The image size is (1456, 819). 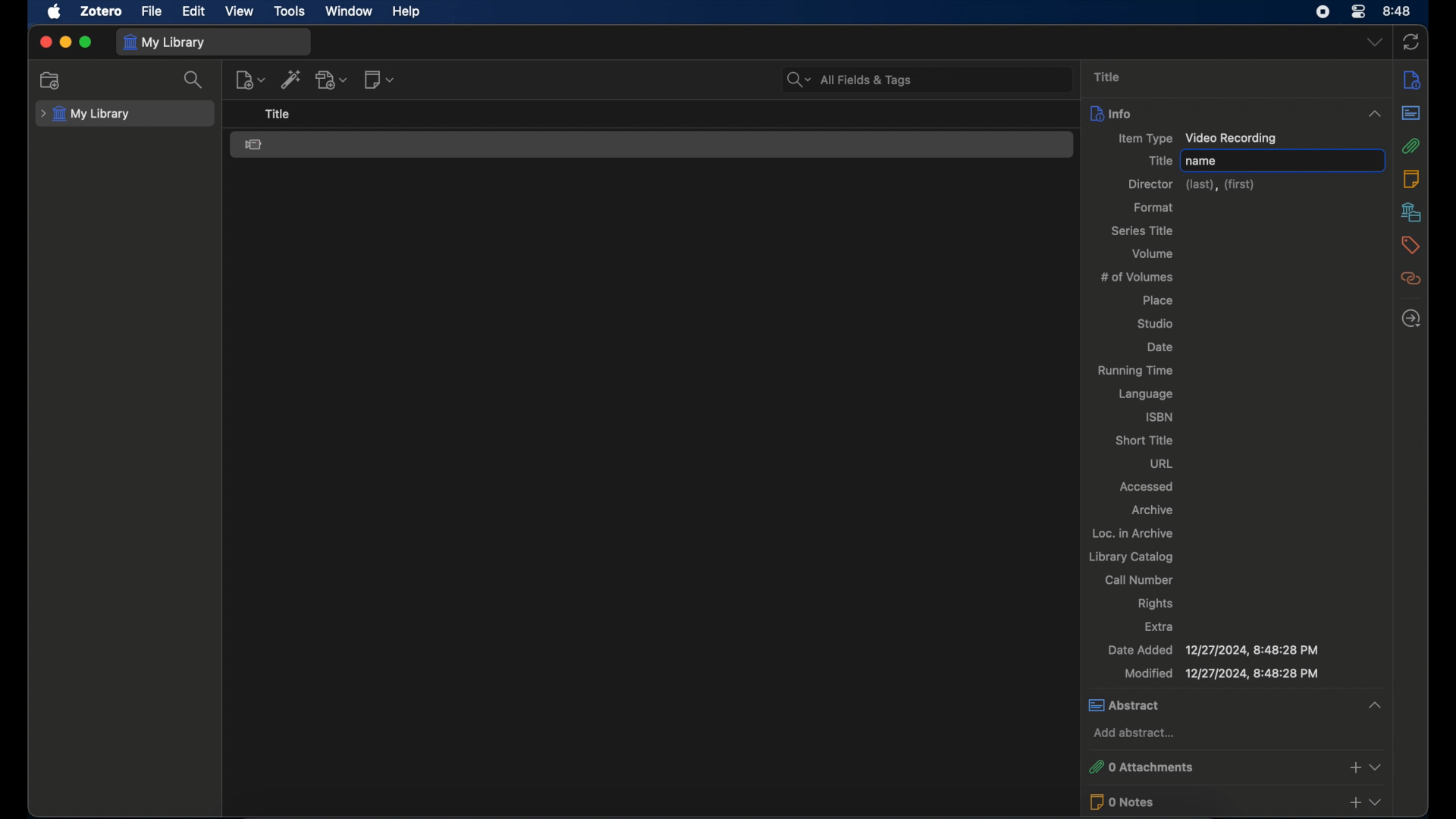 I want to click on isbn, so click(x=1160, y=416).